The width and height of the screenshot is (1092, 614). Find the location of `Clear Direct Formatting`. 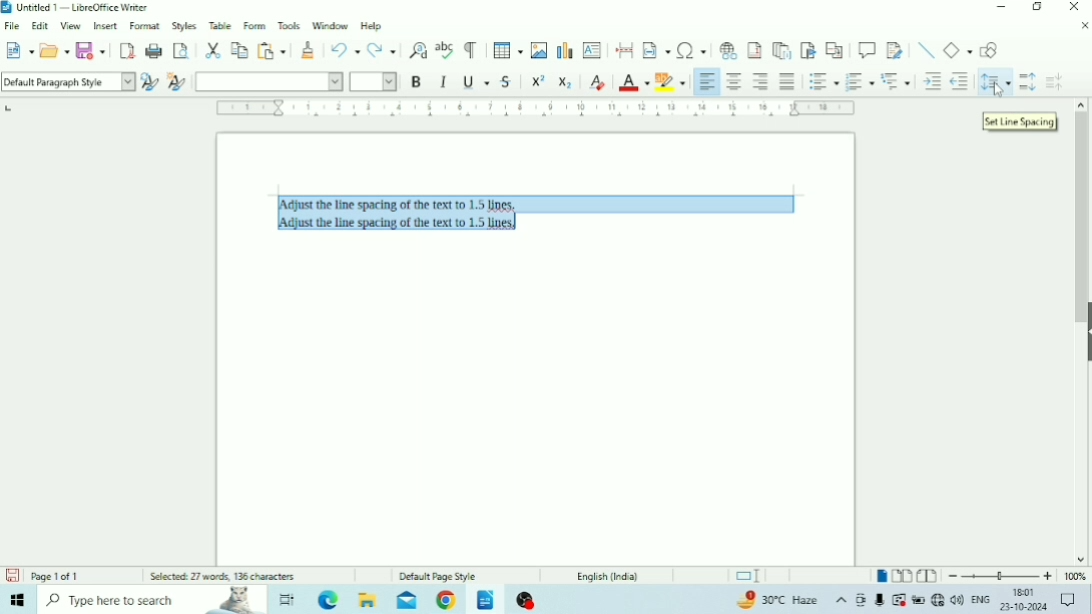

Clear Direct Formatting is located at coordinates (597, 82).